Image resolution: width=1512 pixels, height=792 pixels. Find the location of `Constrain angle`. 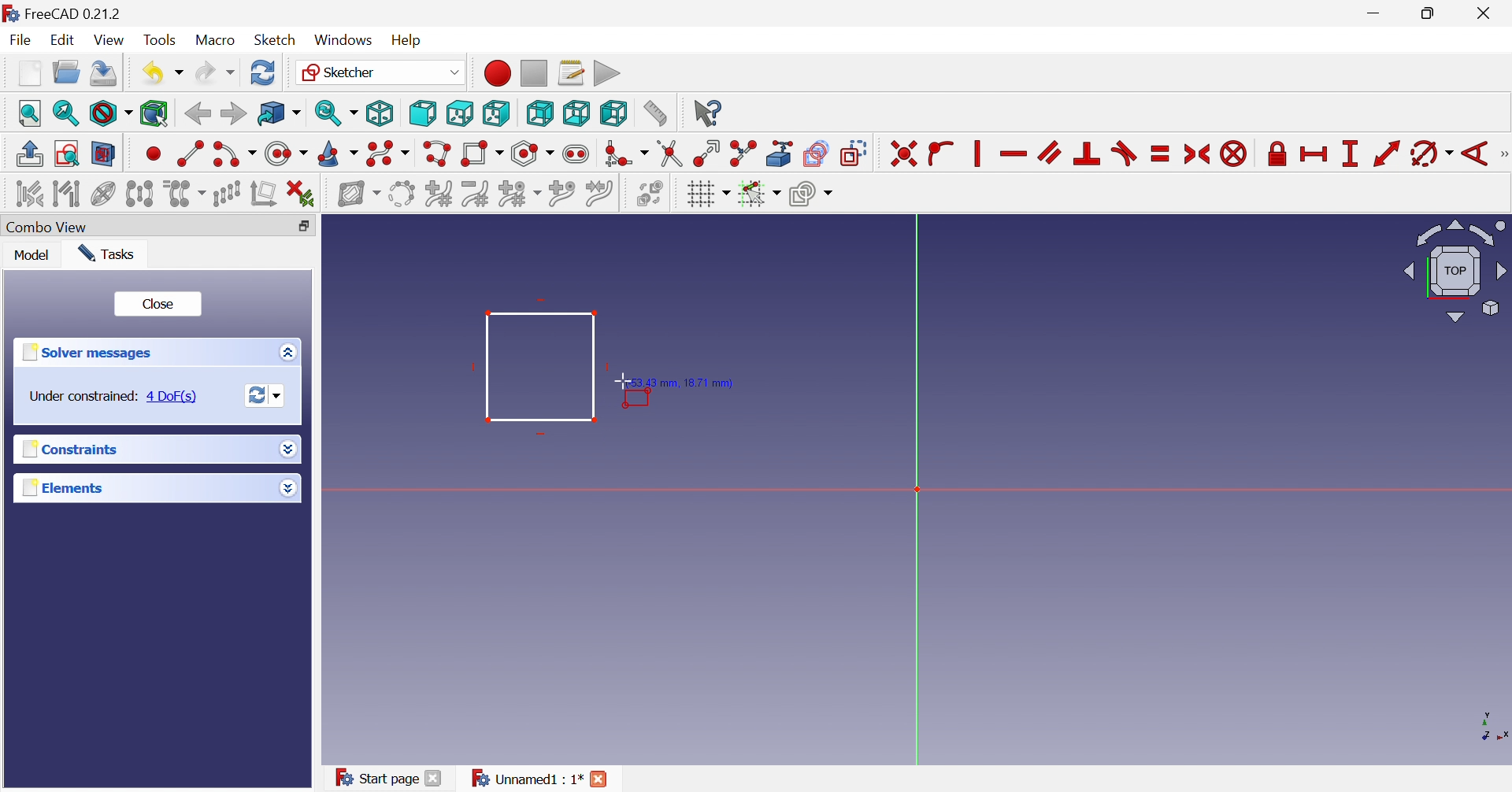

Constrain angle is located at coordinates (1476, 154).